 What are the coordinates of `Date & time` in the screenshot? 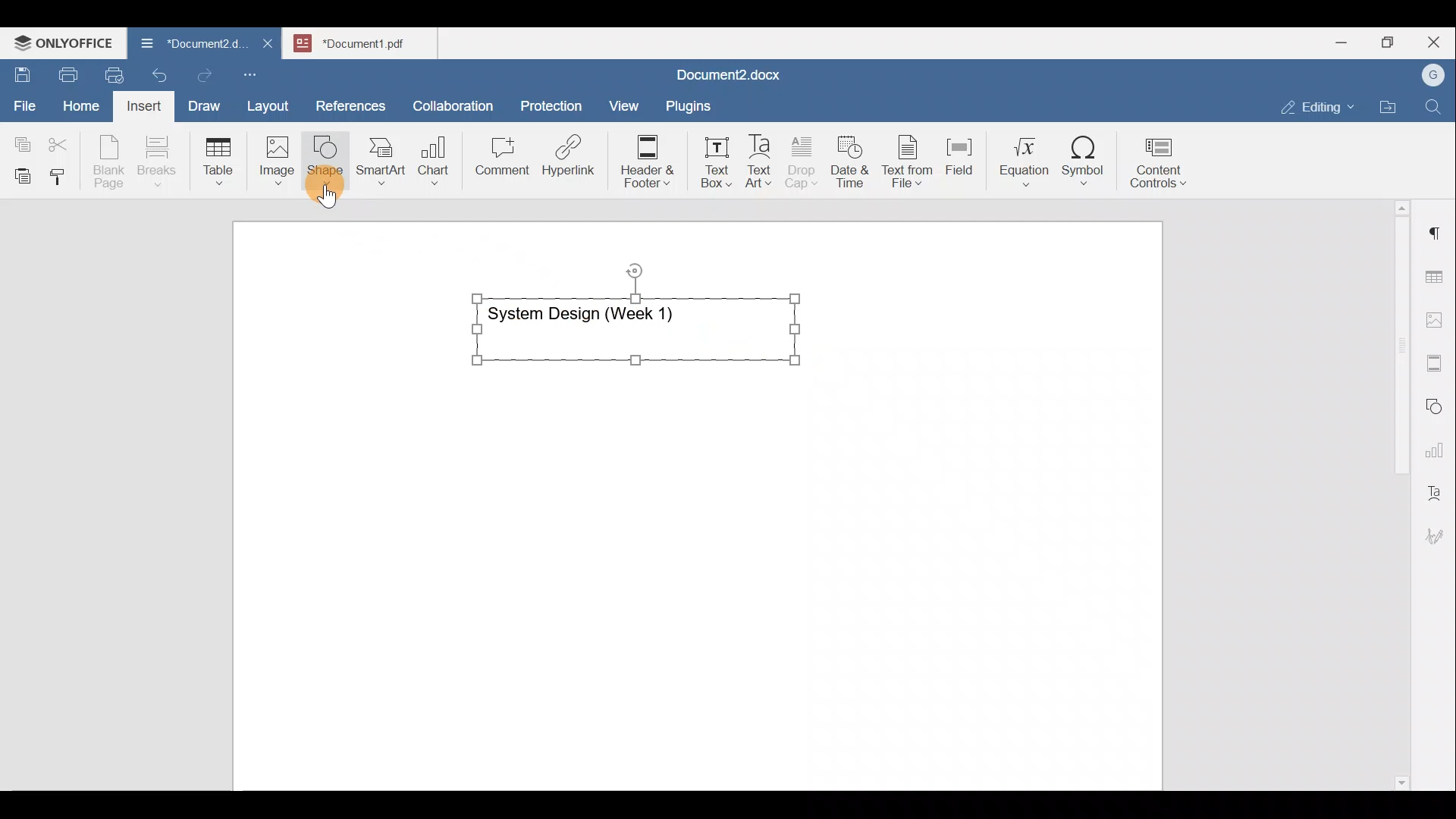 It's located at (851, 159).